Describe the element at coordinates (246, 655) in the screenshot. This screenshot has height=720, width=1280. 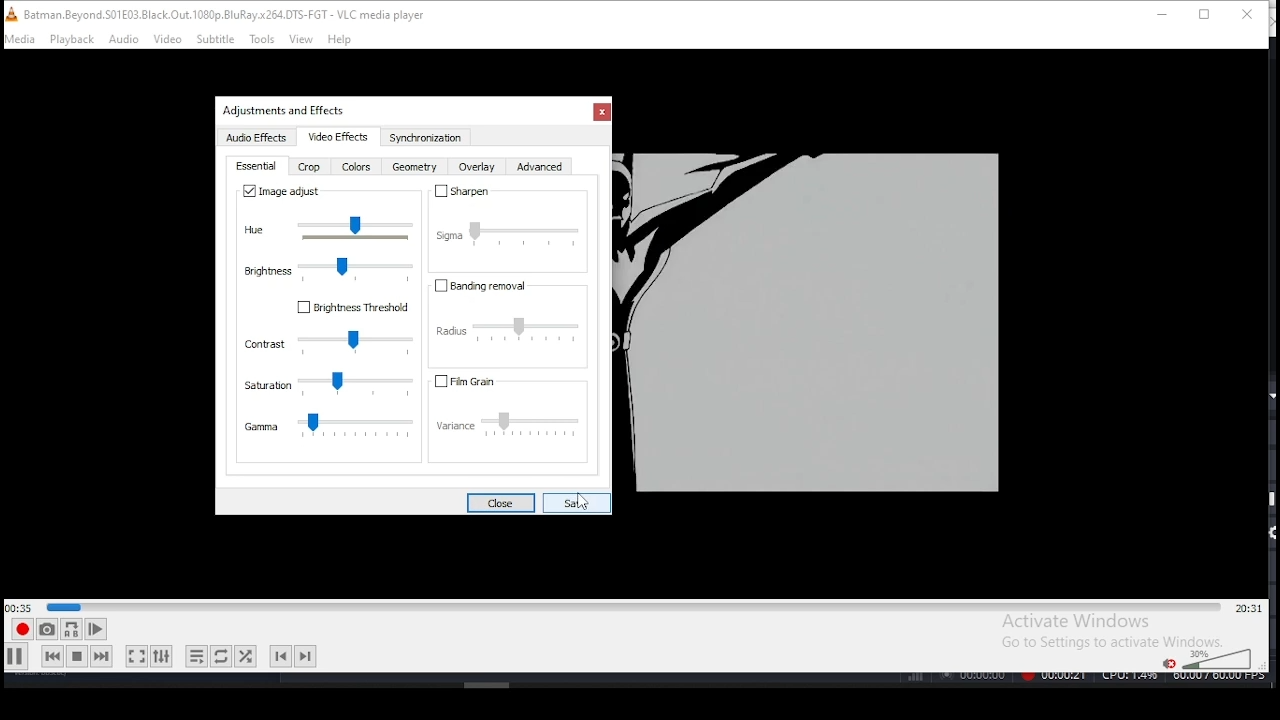
I see `random` at that location.